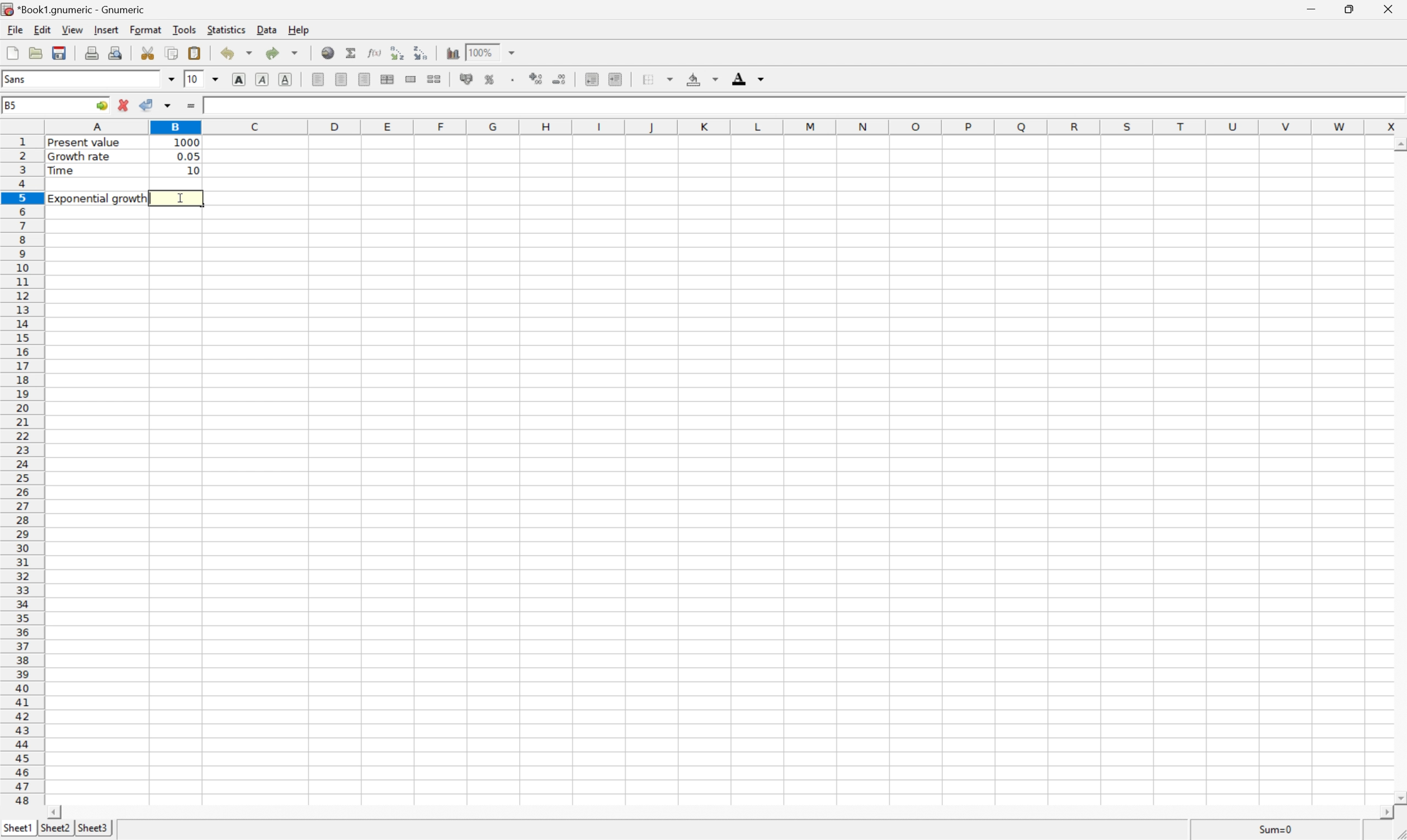  What do you see at coordinates (92, 53) in the screenshot?
I see `Print the current file` at bounding box center [92, 53].